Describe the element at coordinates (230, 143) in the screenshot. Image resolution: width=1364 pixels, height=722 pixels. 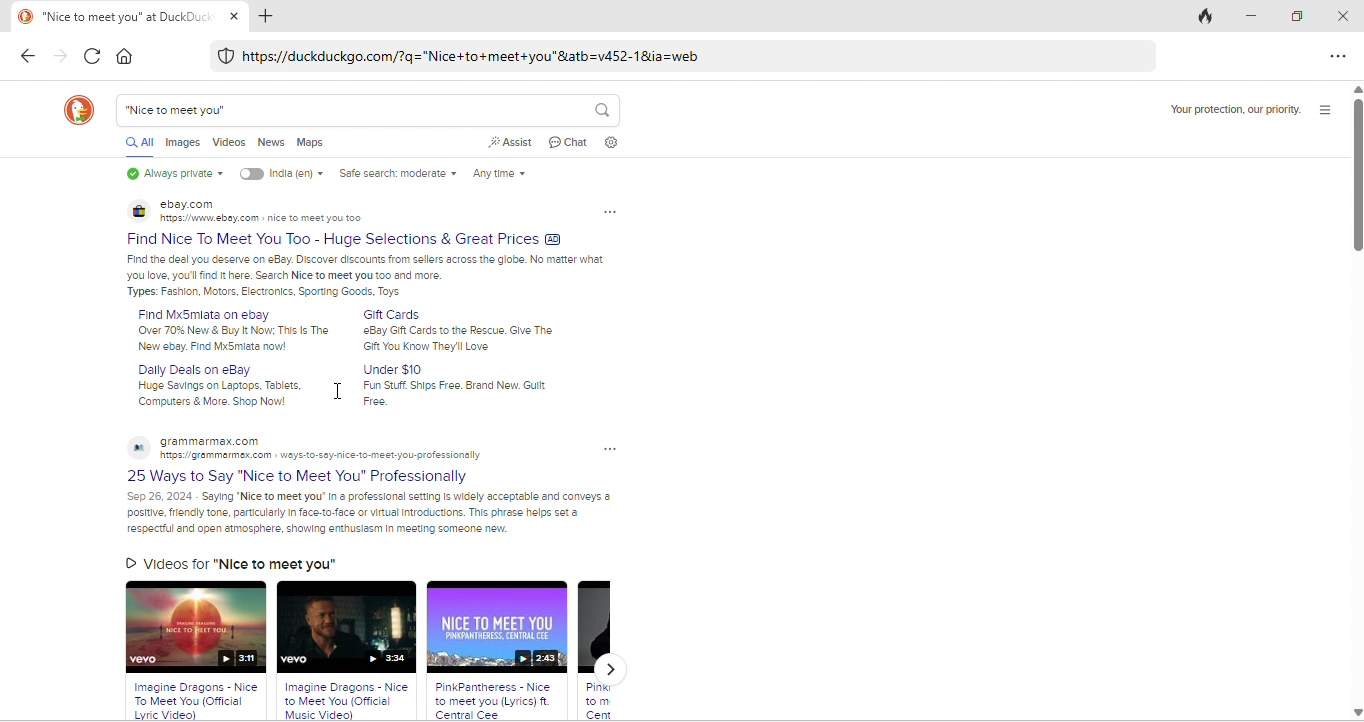
I see `videos` at that location.